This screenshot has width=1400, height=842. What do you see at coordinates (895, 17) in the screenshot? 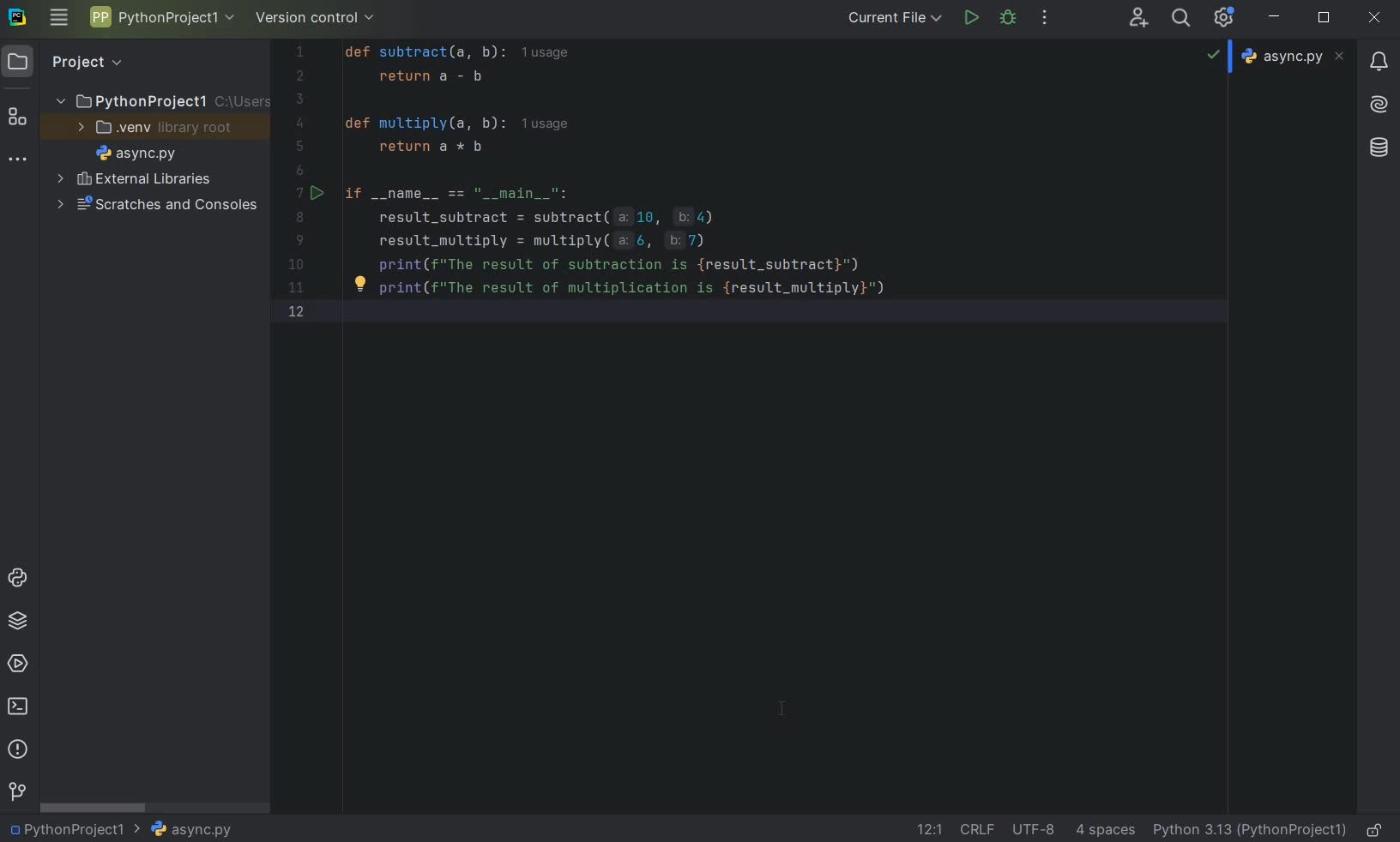
I see `CURRENT FILE` at bounding box center [895, 17].